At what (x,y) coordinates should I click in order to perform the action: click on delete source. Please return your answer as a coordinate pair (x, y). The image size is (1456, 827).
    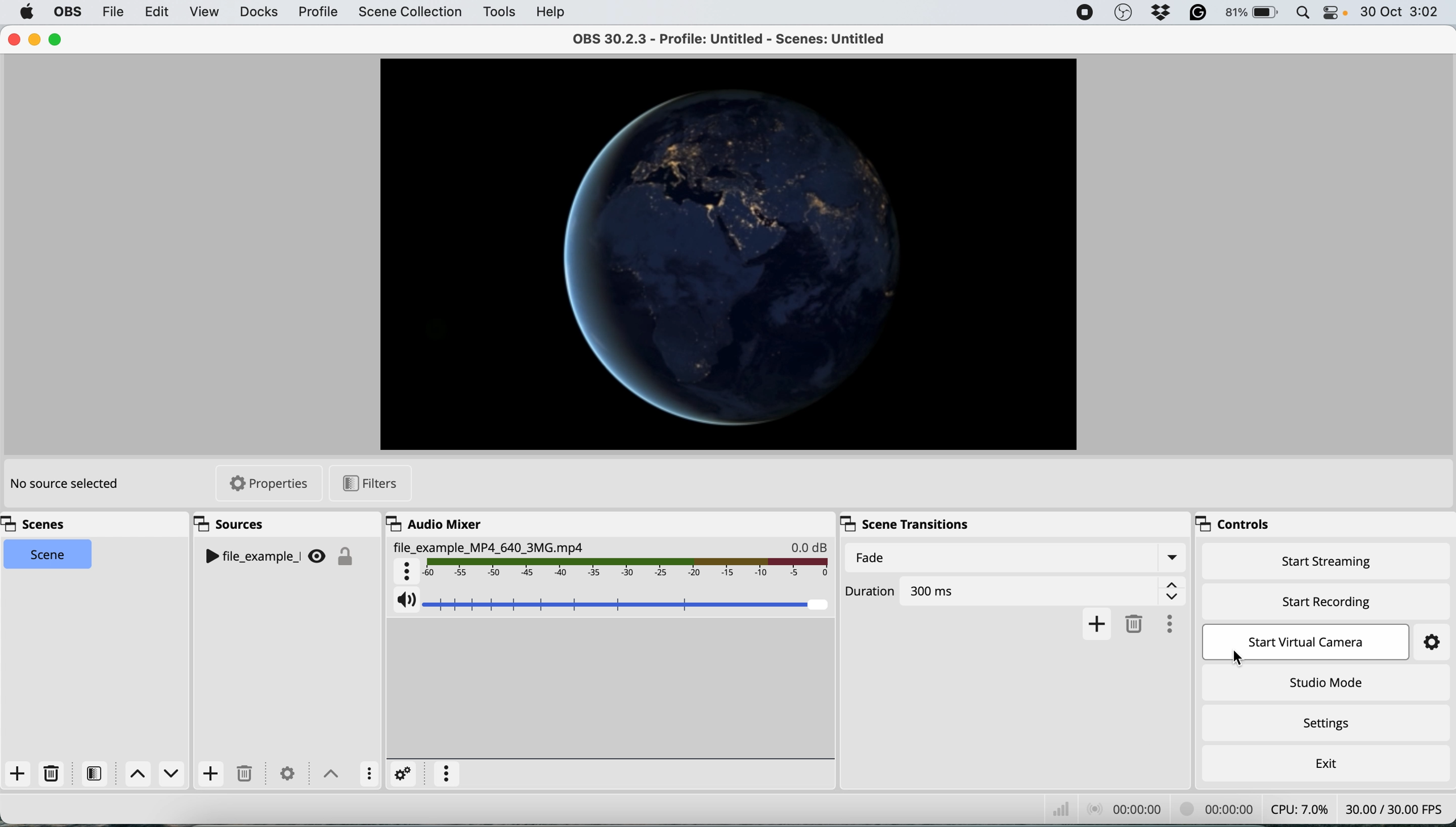
    Looking at the image, I should click on (249, 774).